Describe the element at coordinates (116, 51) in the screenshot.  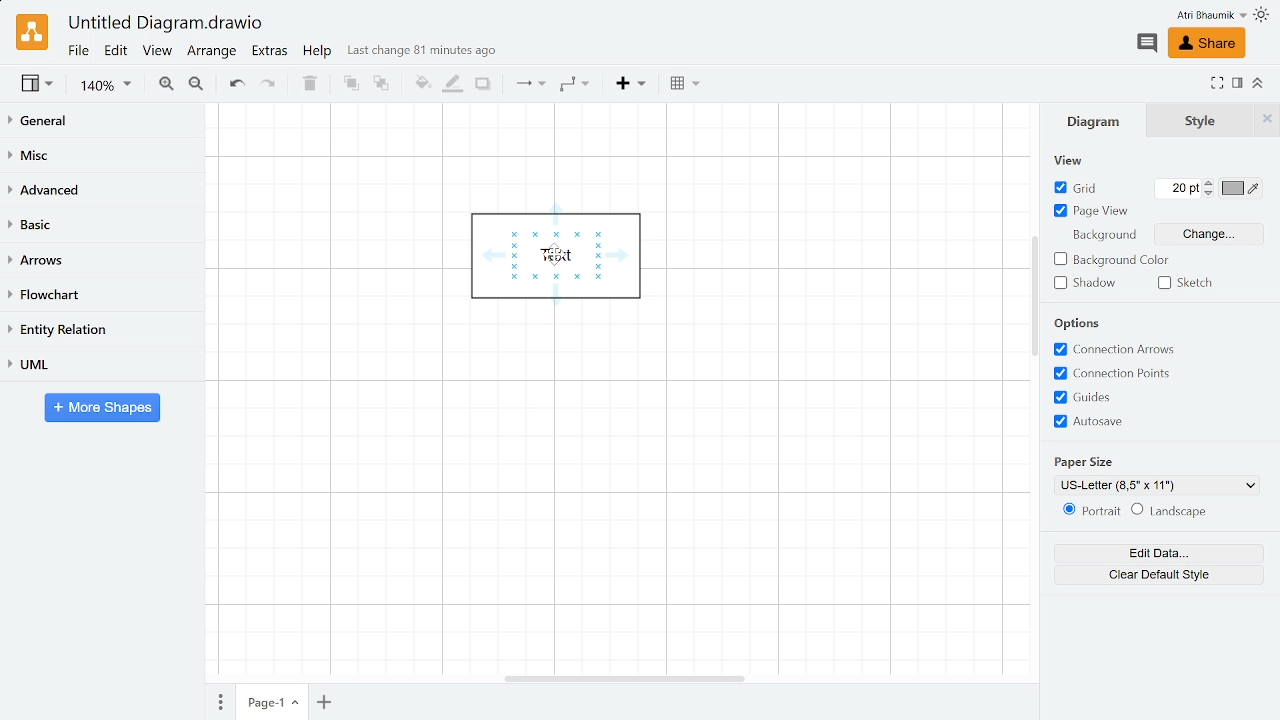
I see `Edit` at that location.